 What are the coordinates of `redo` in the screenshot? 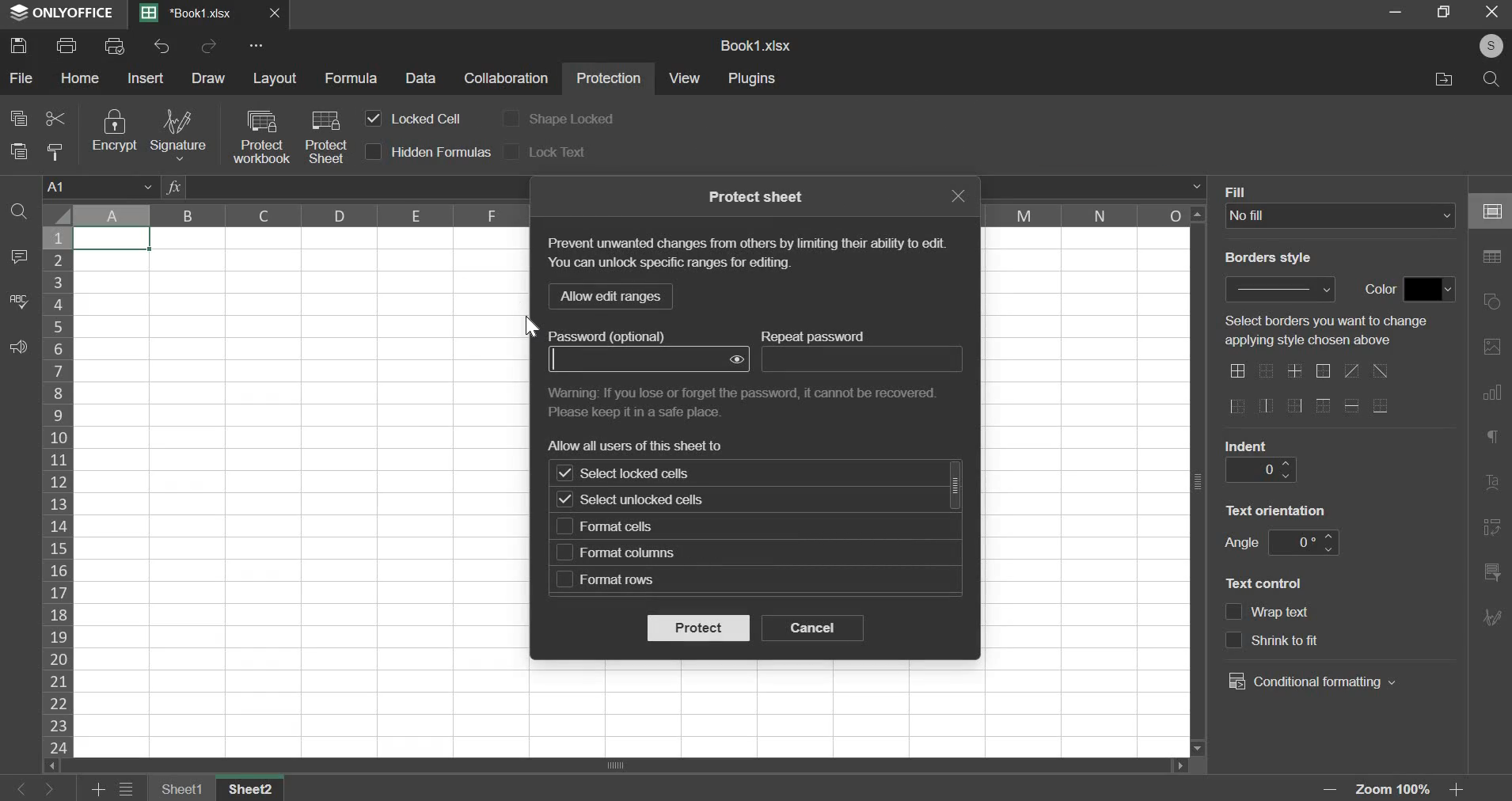 It's located at (209, 47).